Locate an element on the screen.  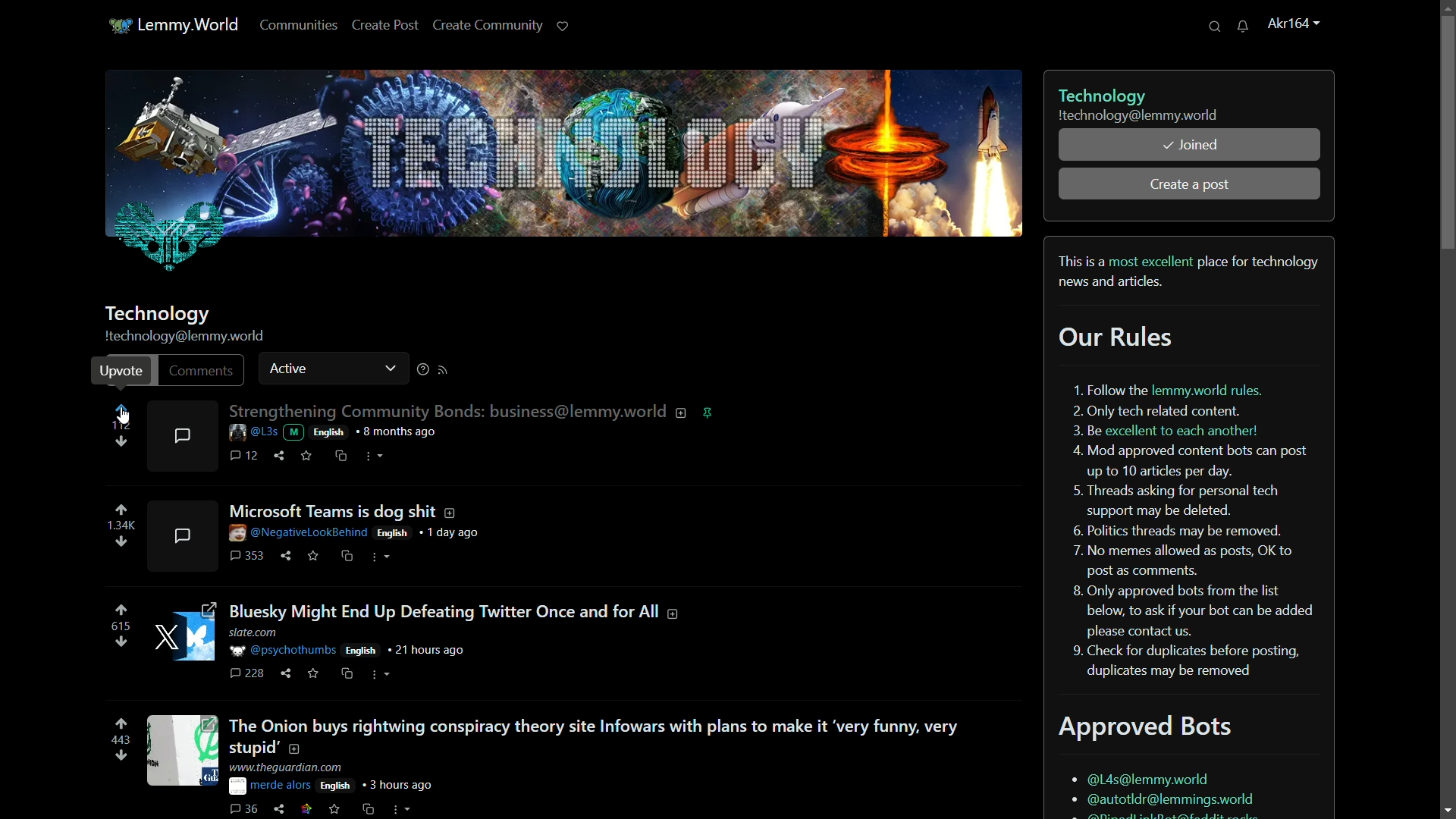
post-1 is located at coordinates (477, 411).